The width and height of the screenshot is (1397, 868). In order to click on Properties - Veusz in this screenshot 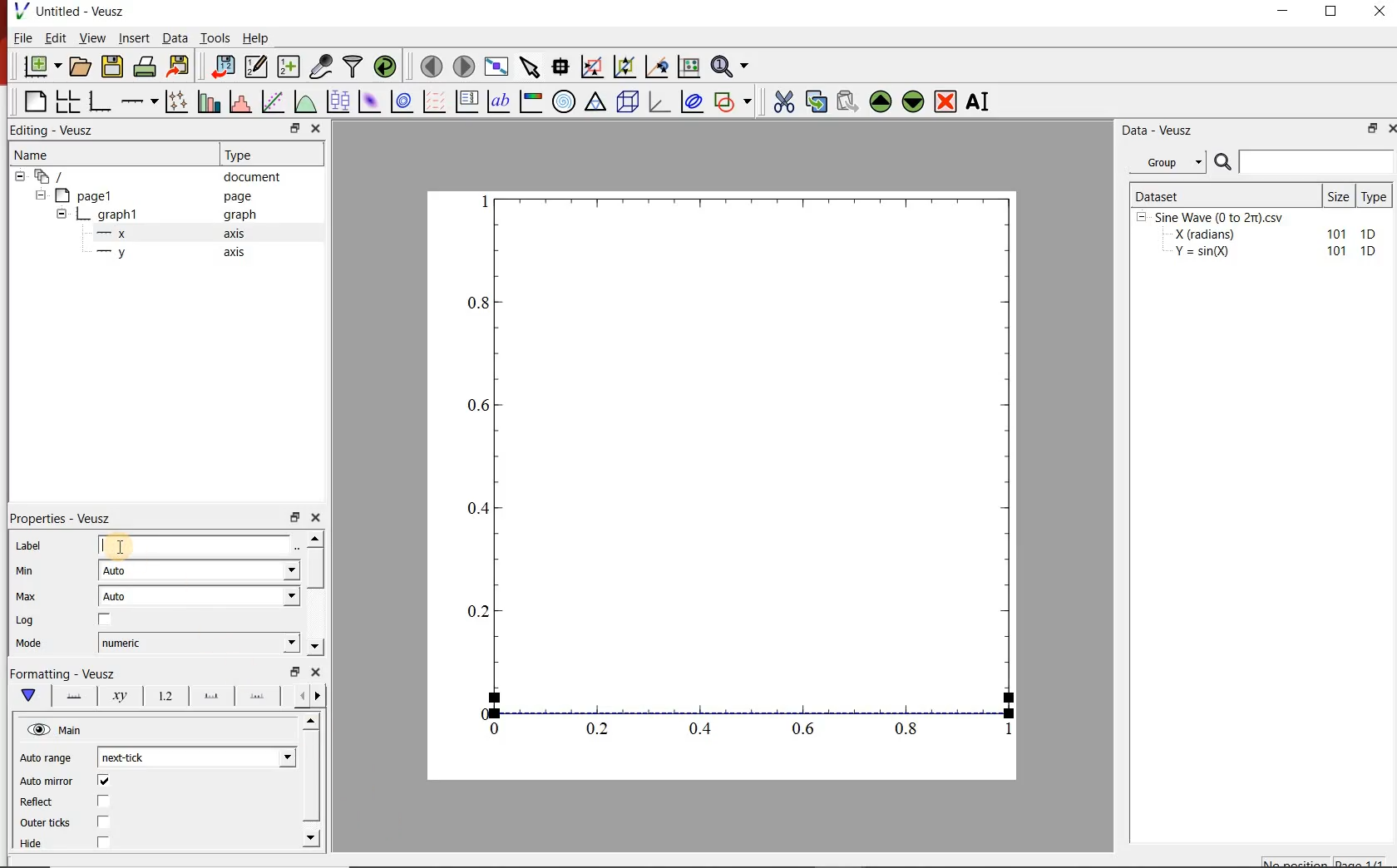, I will do `click(62, 518)`.